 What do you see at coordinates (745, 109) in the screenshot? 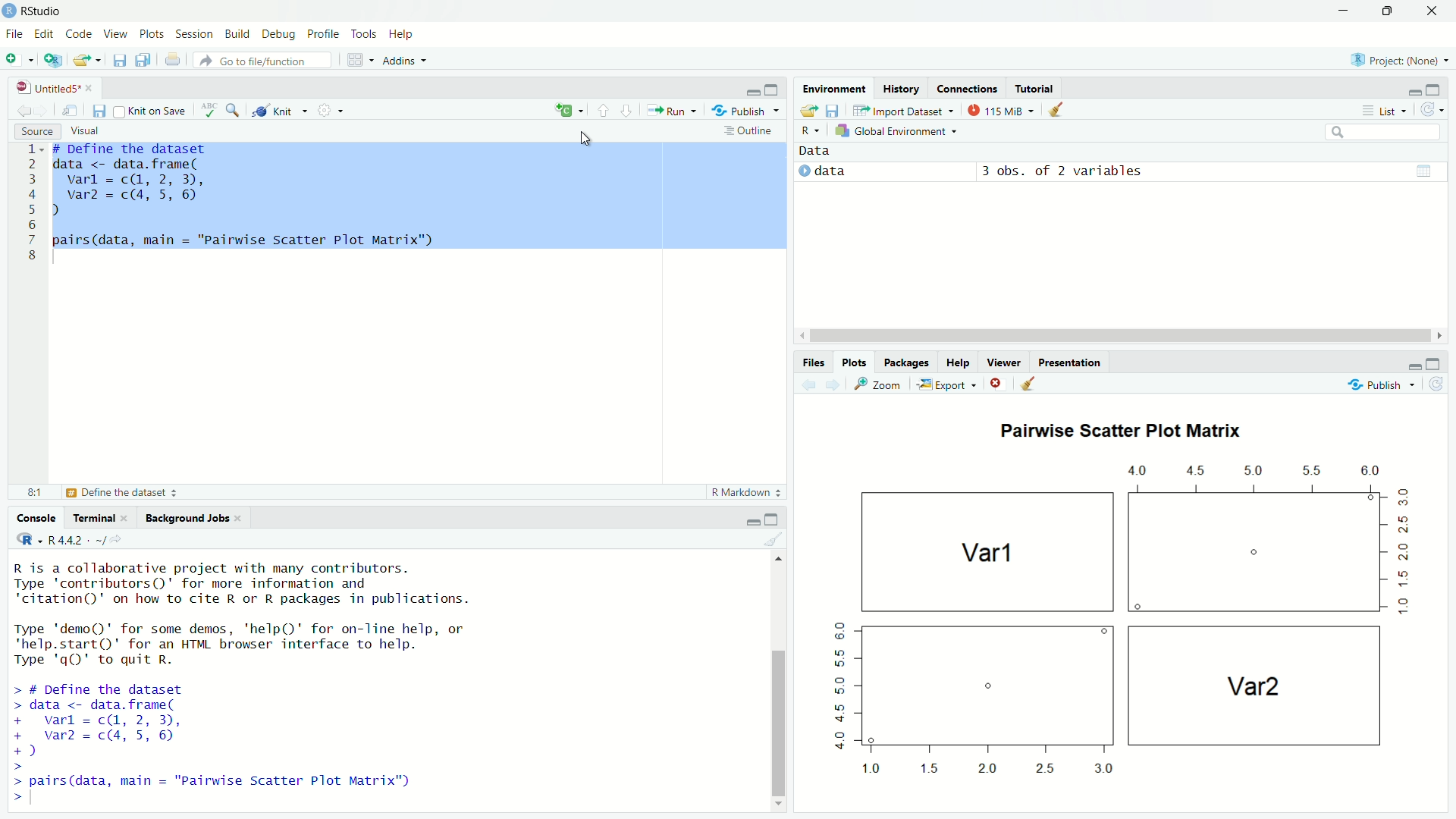
I see `Publish` at bounding box center [745, 109].